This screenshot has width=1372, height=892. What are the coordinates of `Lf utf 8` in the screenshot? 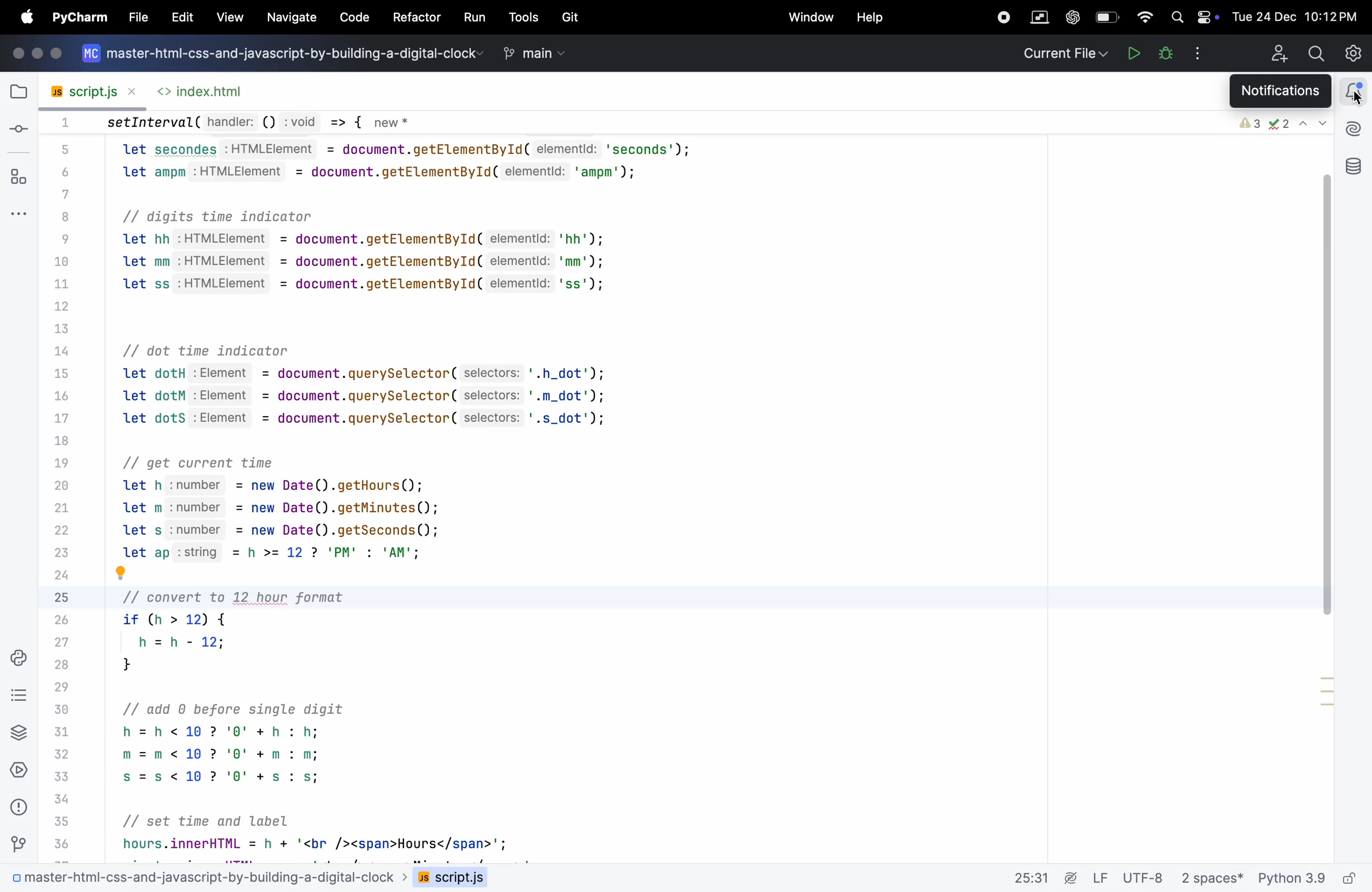 It's located at (1129, 876).